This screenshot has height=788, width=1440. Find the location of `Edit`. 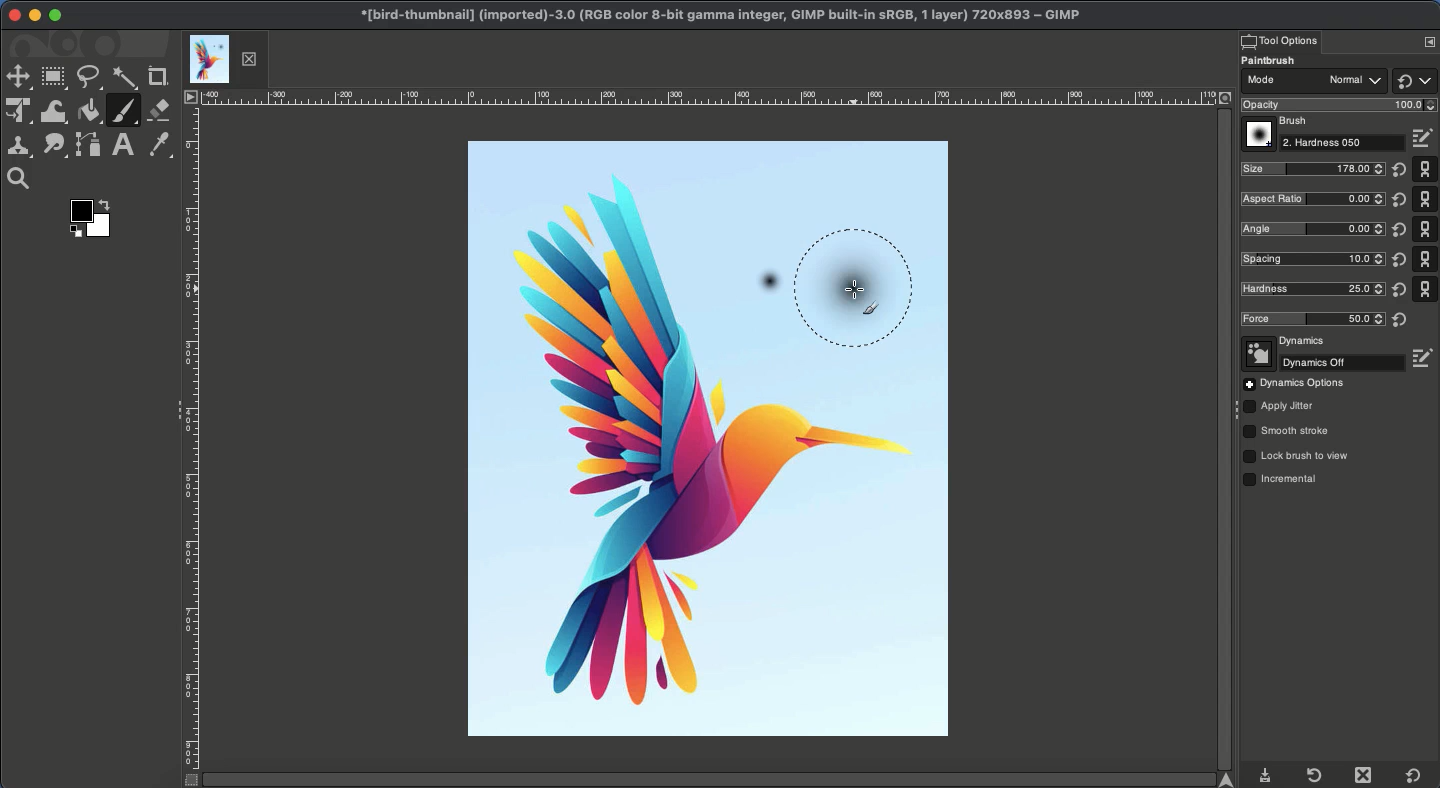

Edit is located at coordinates (1425, 139).